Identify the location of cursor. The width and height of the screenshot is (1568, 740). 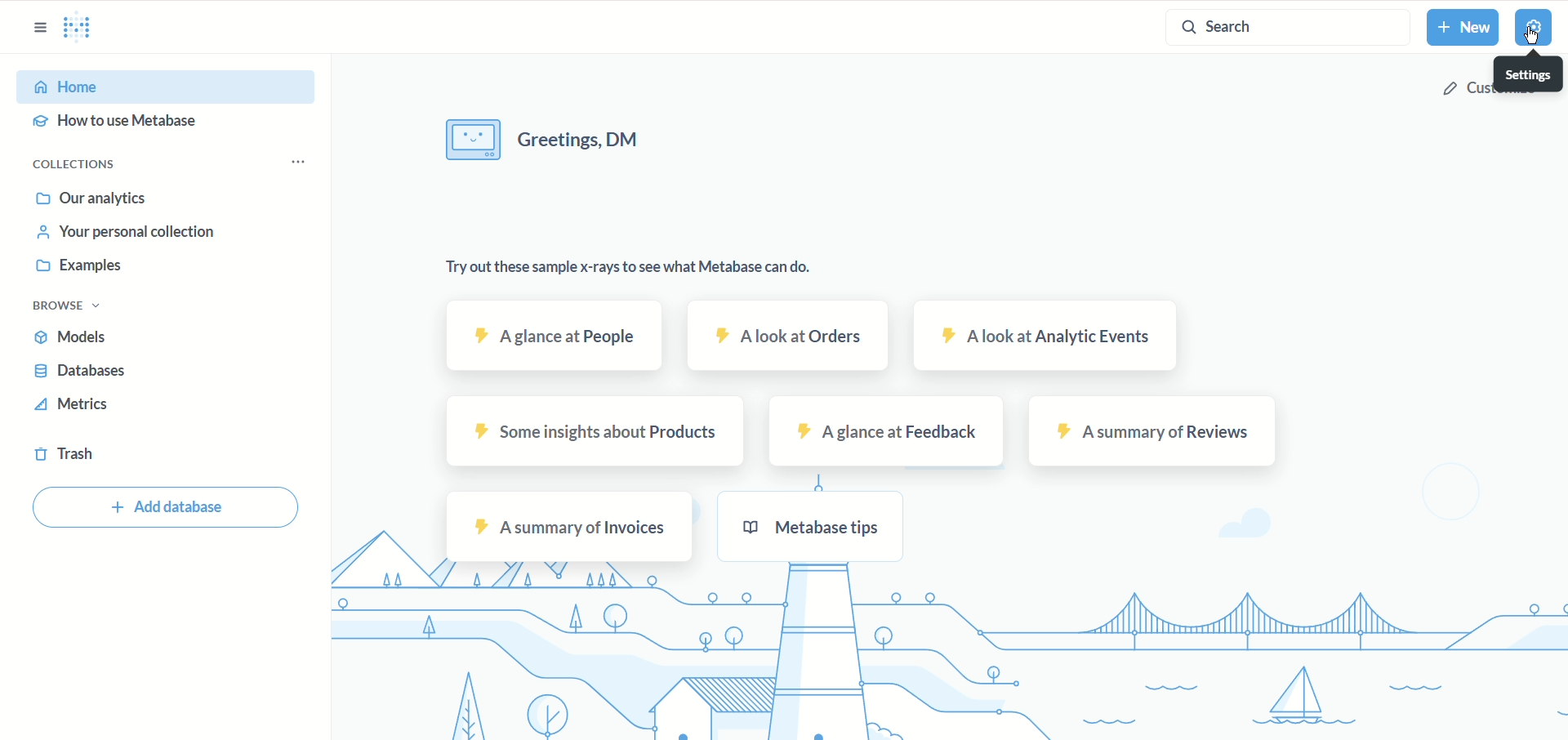
(1532, 38).